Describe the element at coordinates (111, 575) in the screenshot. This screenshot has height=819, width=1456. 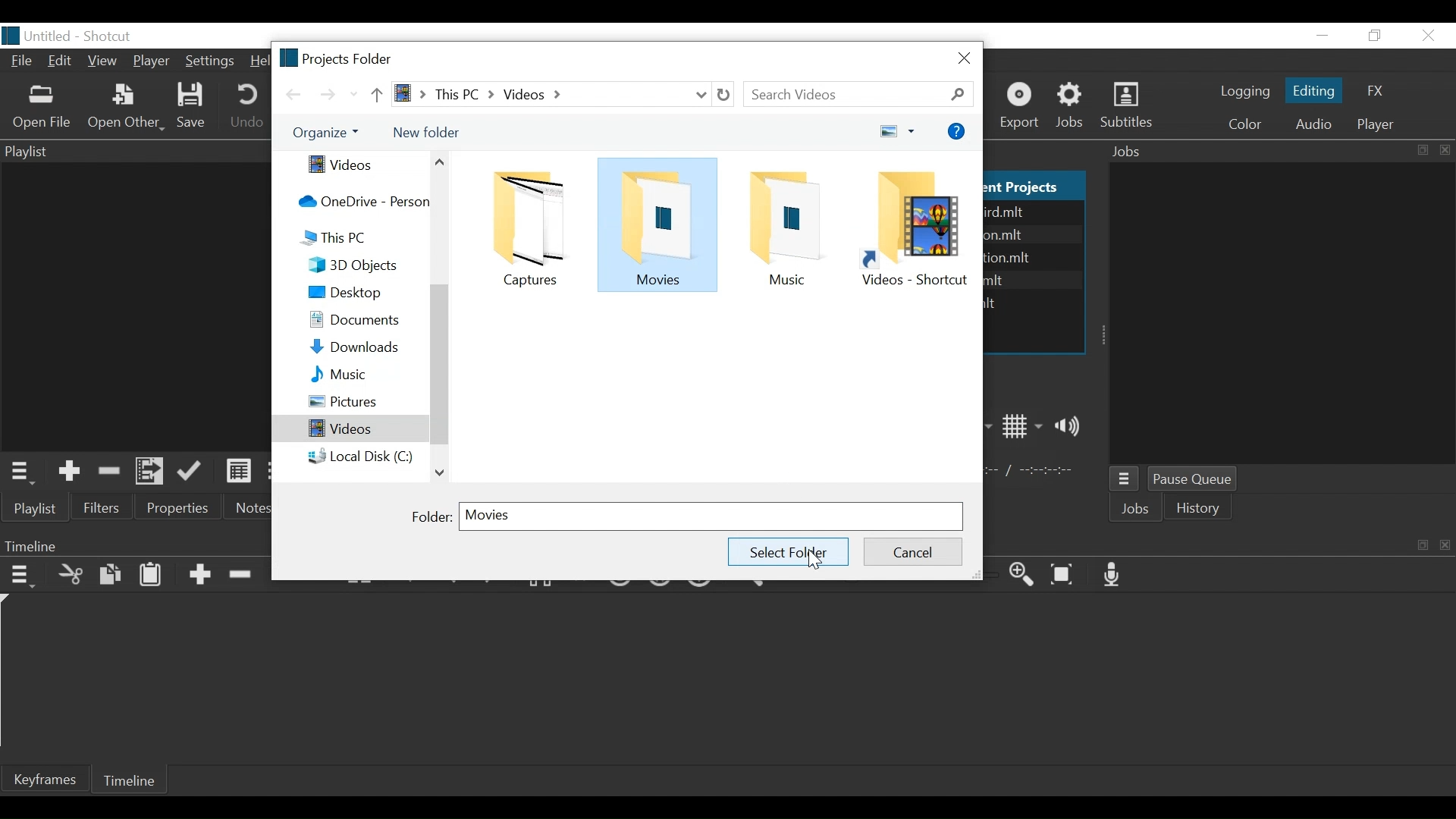
I see `Copy` at that location.